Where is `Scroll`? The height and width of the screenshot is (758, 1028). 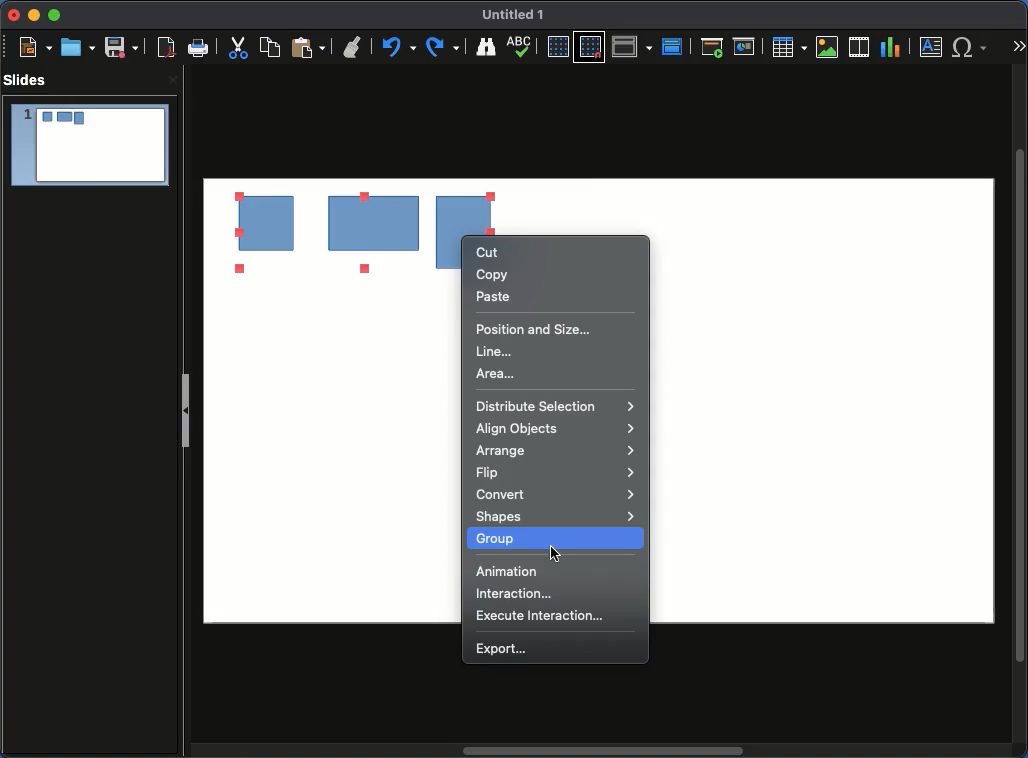 Scroll is located at coordinates (1022, 404).